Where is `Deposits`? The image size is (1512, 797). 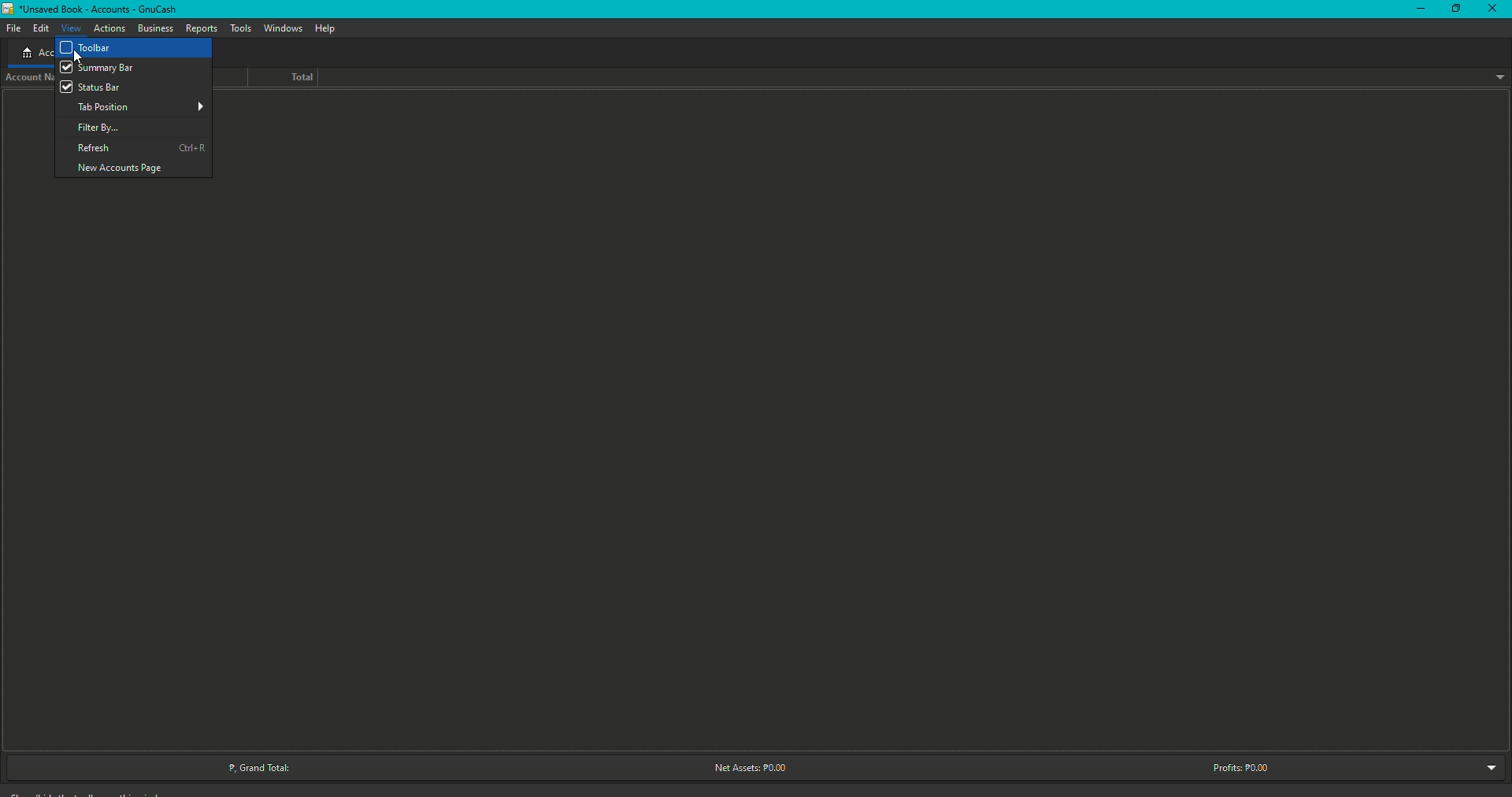
Deposits is located at coordinates (201, 28).